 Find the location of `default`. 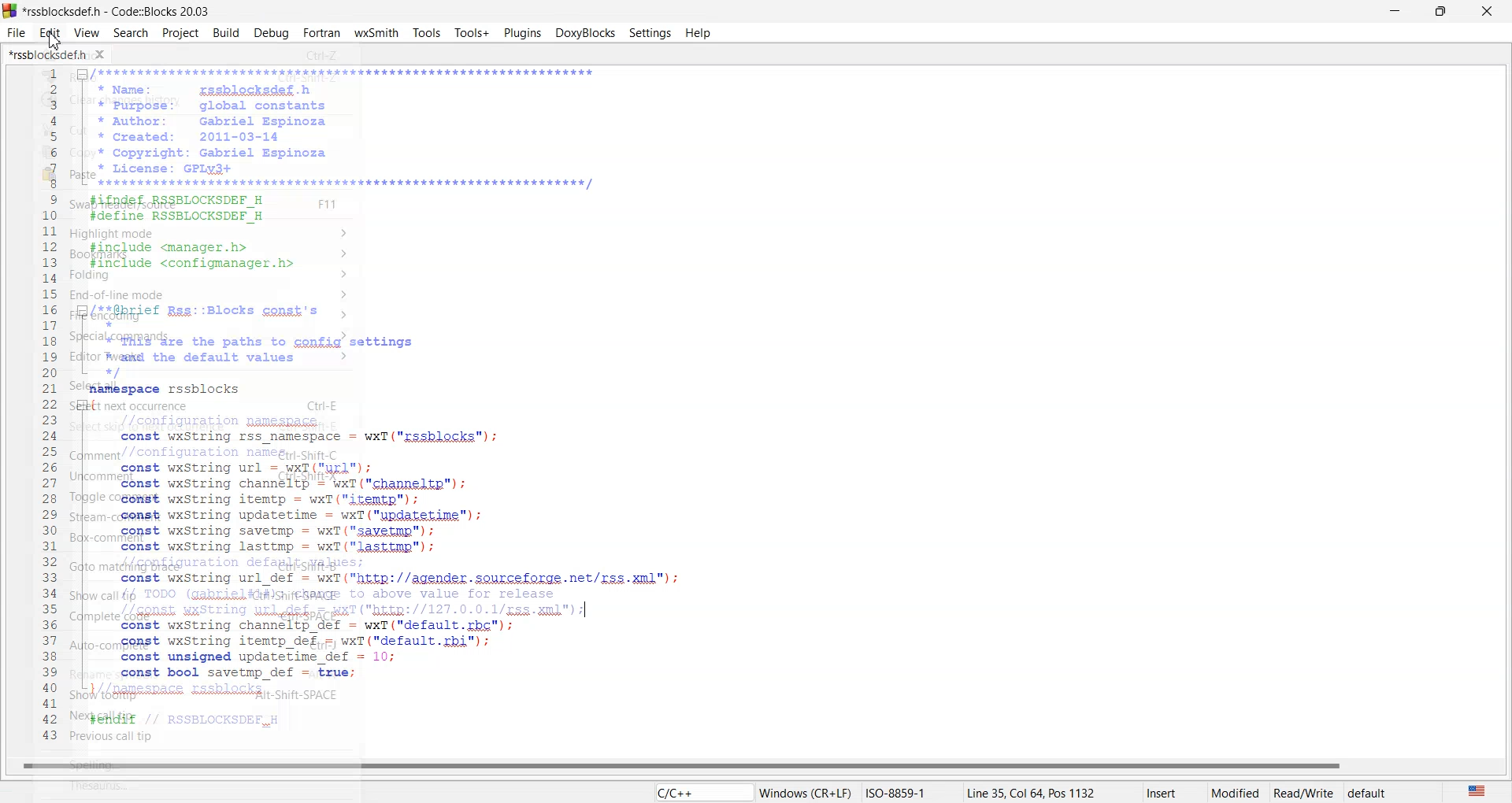

default is located at coordinates (1388, 790).